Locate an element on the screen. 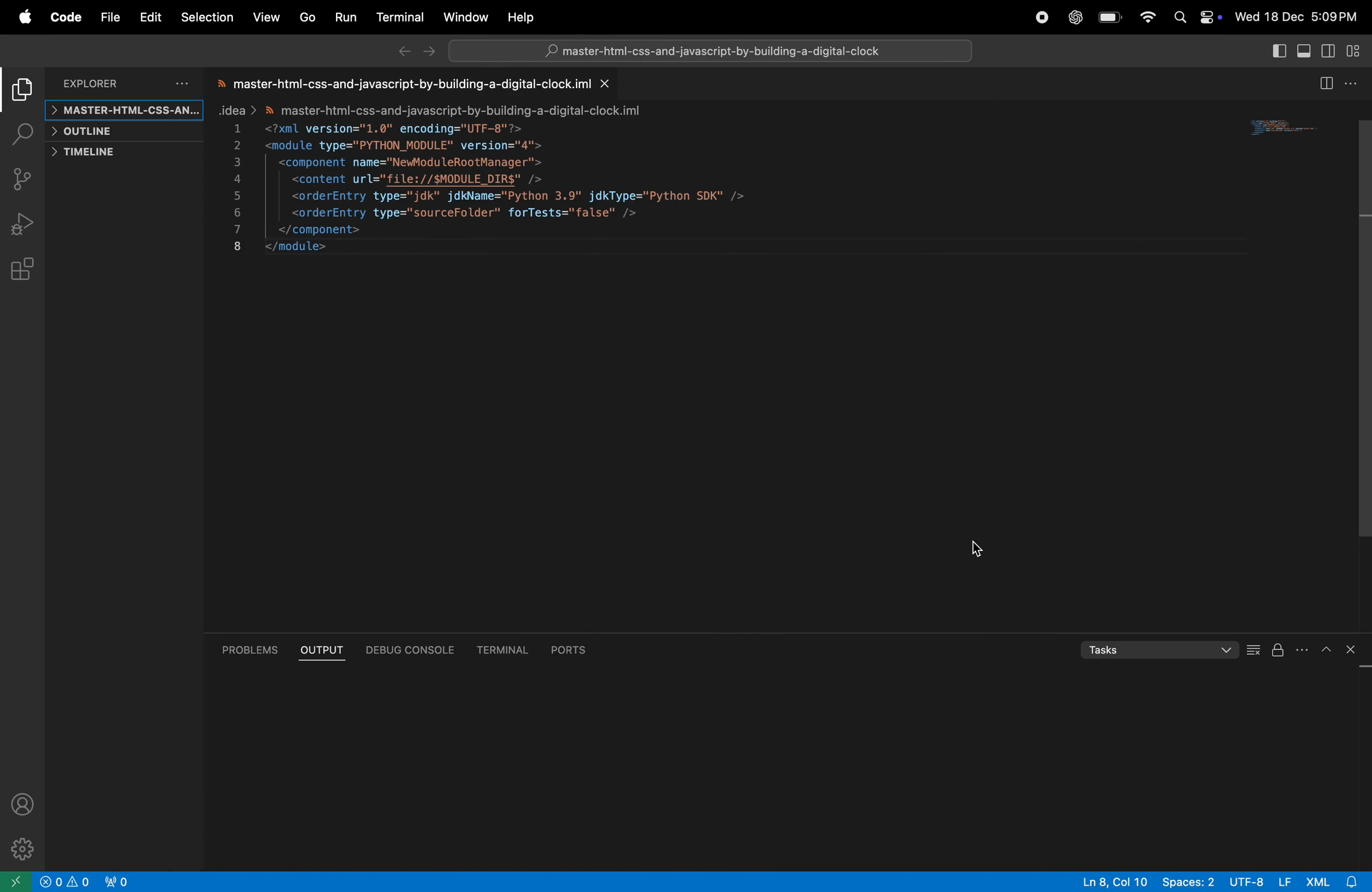 Image resolution: width=1372 pixels, height=892 pixels. search is located at coordinates (24, 134).